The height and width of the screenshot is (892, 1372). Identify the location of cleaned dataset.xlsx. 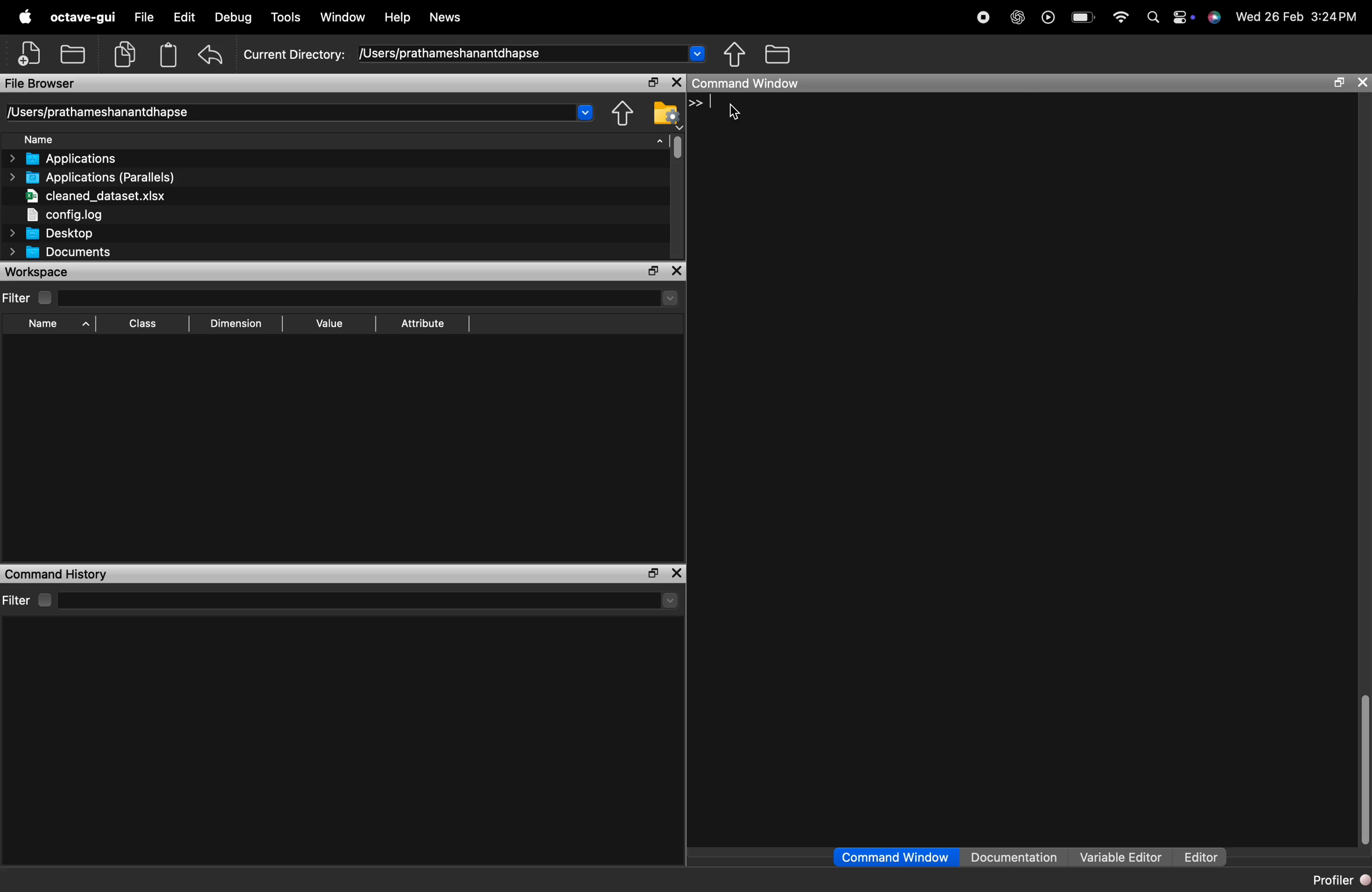
(92, 195).